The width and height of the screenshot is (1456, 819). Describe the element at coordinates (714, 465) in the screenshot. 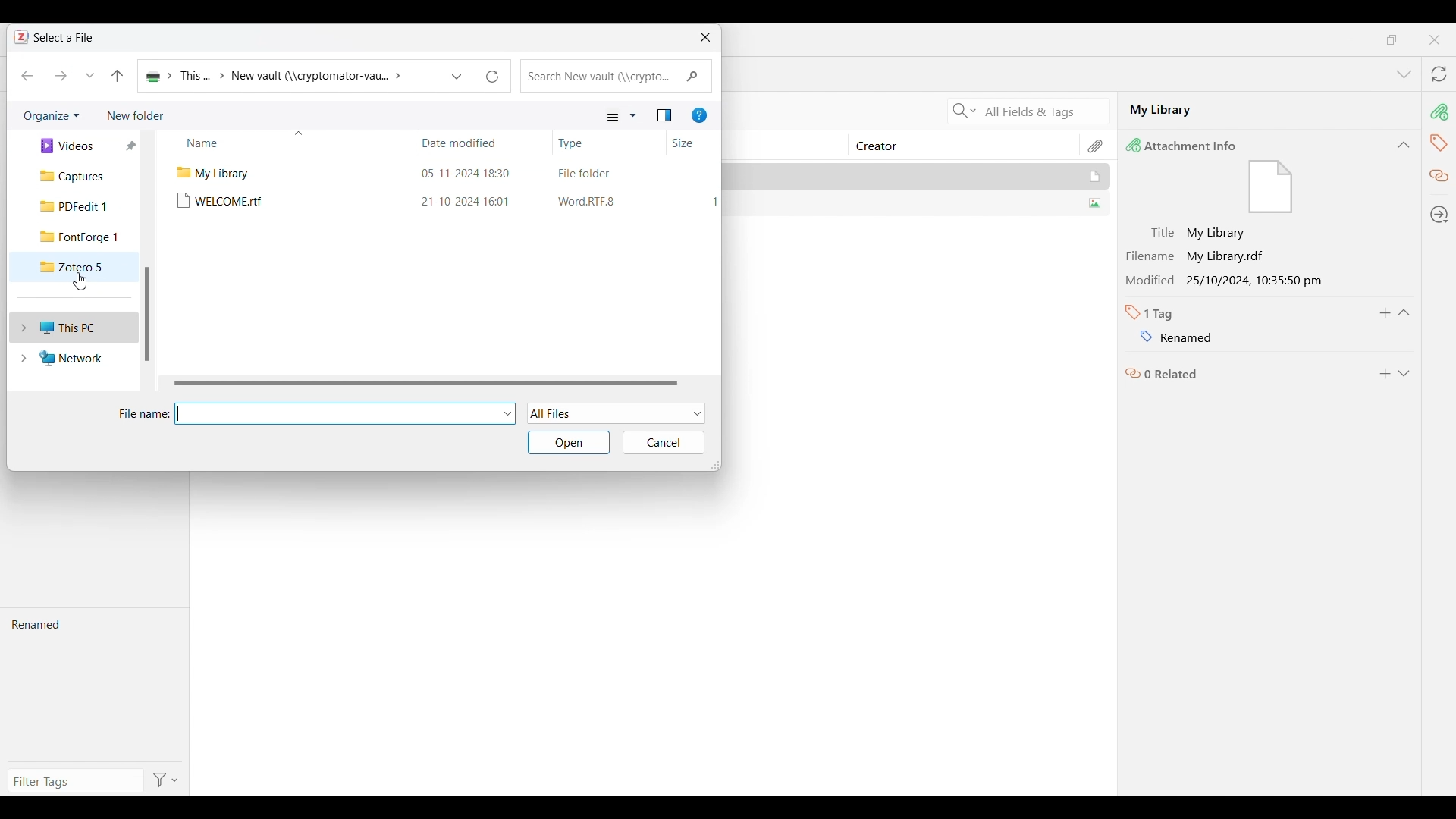

I see `Change dimension of window` at that location.